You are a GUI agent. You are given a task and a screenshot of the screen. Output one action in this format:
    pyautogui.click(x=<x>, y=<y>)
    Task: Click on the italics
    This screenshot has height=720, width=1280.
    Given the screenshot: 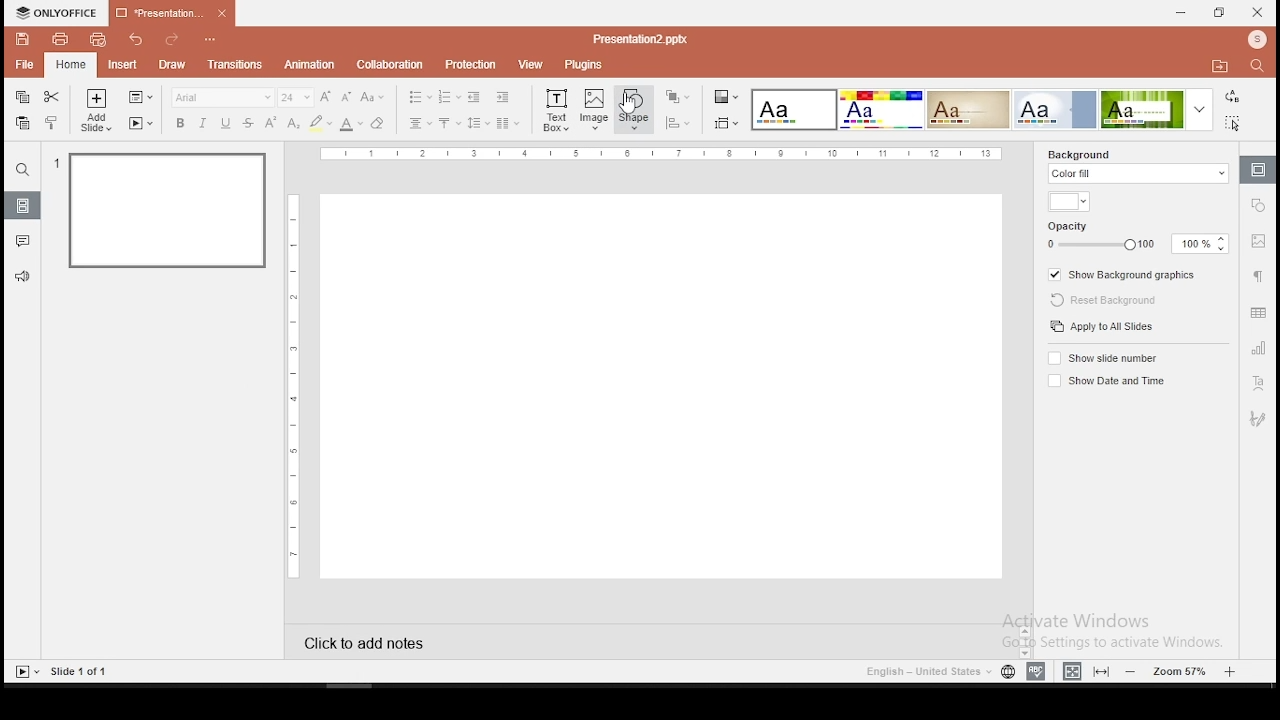 What is the action you would take?
    pyautogui.click(x=202, y=123)
    